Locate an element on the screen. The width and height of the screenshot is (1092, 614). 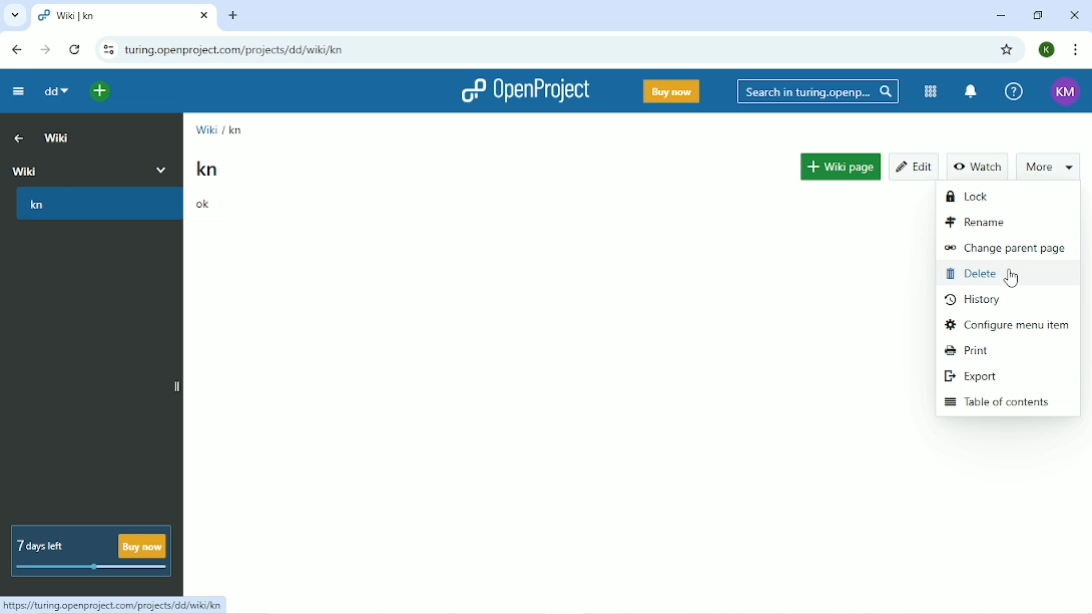
kn is located at coordinates (208, 169).